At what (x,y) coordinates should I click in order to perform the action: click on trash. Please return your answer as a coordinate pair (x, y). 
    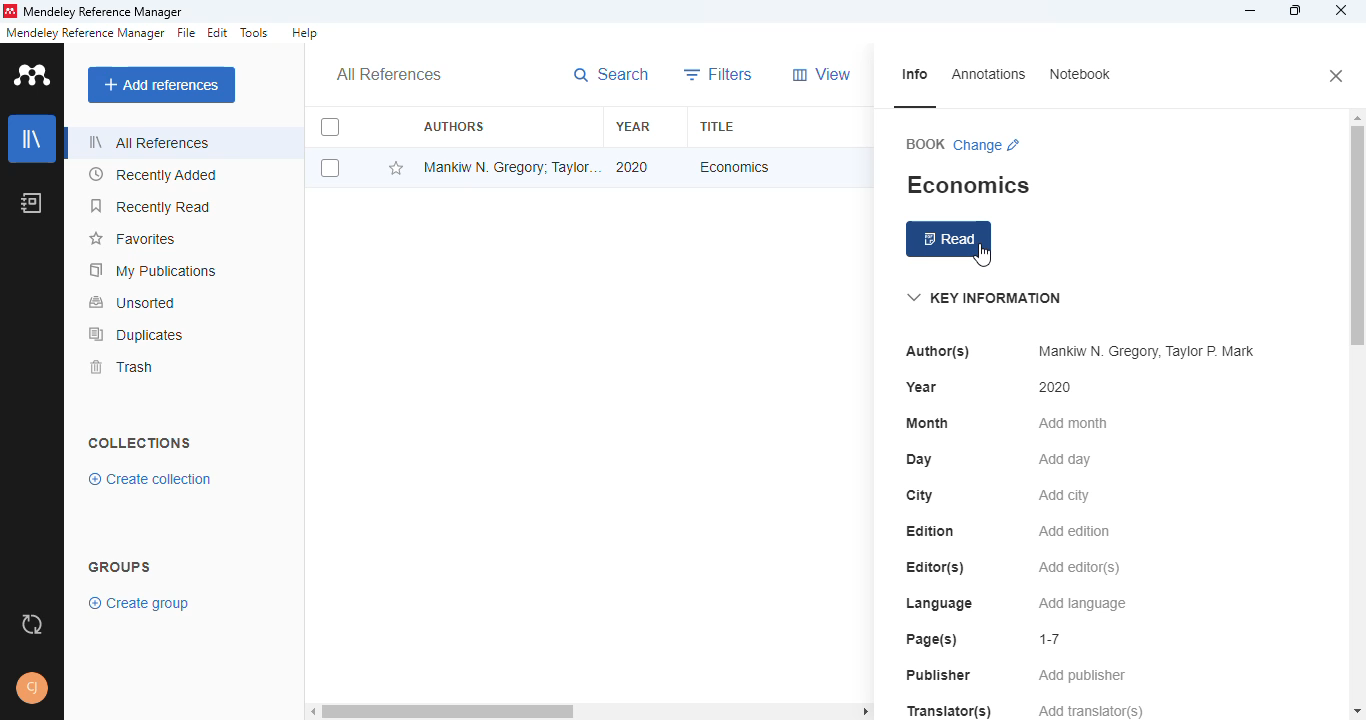
    Looking at the image, I should click on (123, 366).